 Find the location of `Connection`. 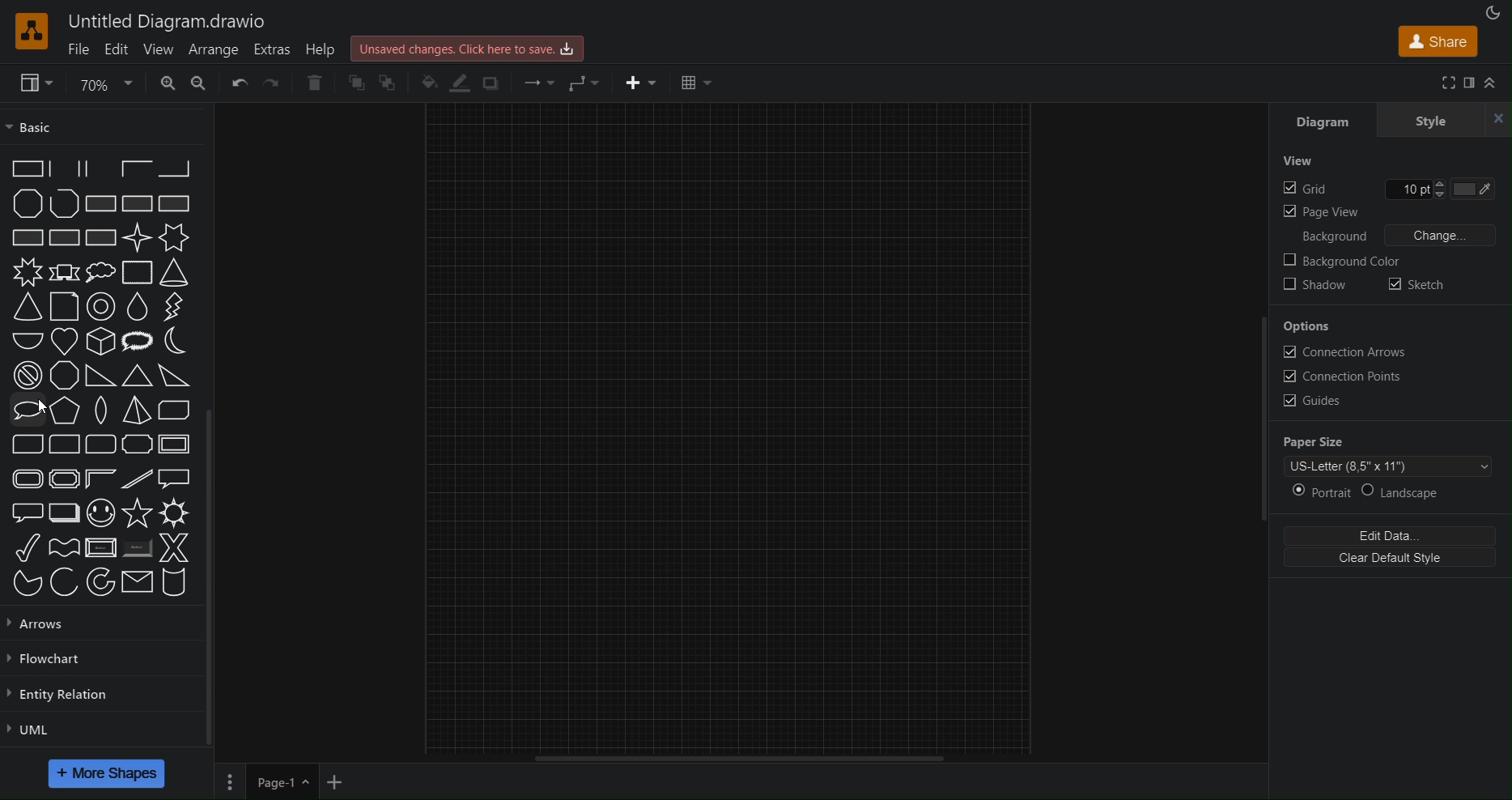

Connection is located at coordinates (533, 84).